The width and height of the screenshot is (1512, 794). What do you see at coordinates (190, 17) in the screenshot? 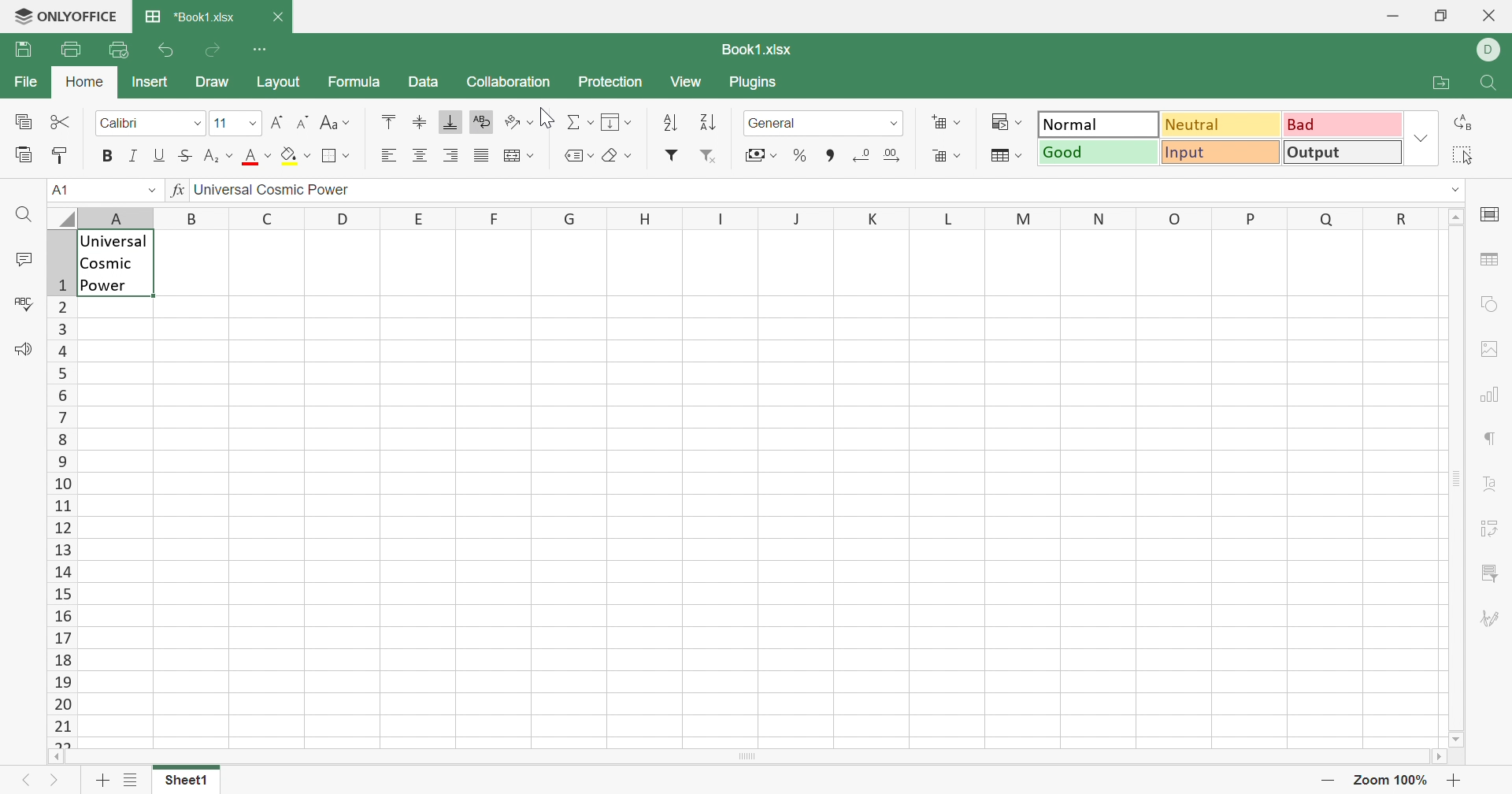
I see `*Book1.xlsx` at bounding box center [190, 17].